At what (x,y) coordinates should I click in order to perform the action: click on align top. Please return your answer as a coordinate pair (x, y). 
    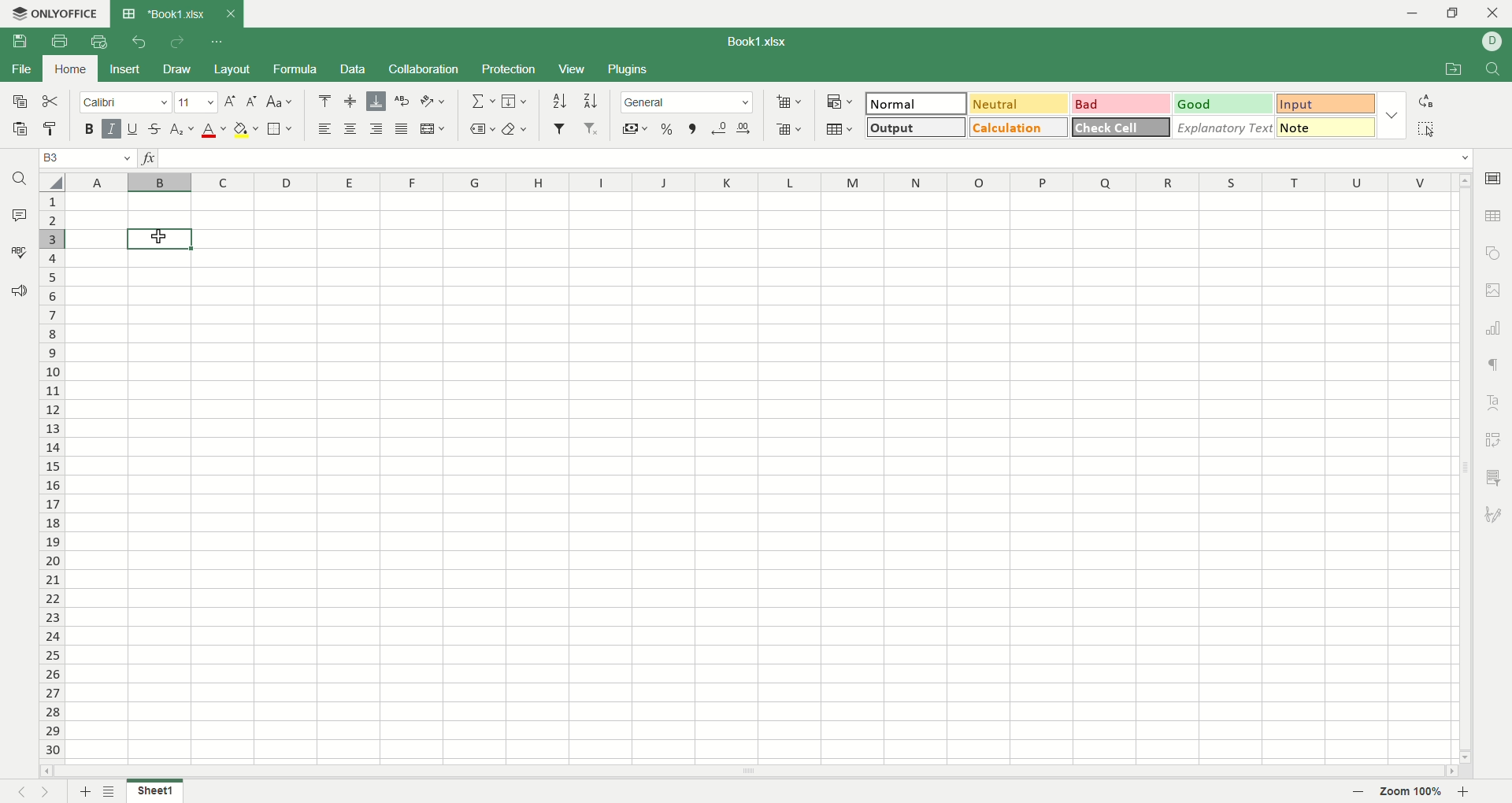
    Looking at the image, I should click on (325, 101).